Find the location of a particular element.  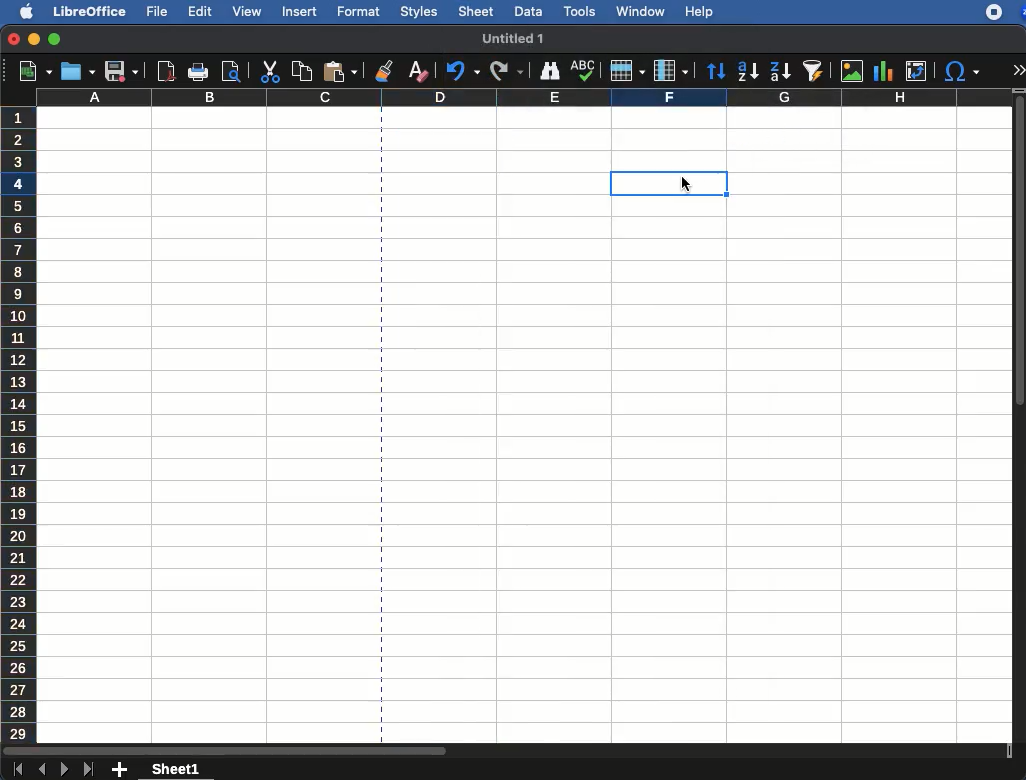

styles is located at coordinates (418, 11).